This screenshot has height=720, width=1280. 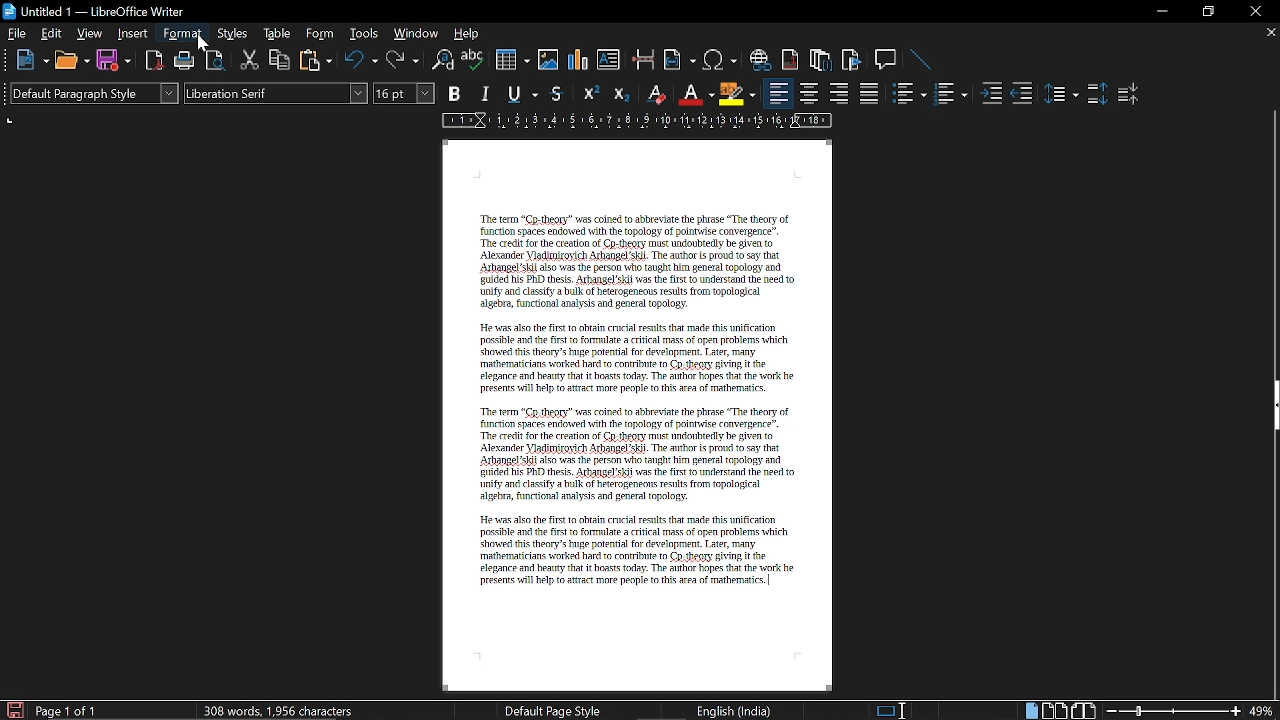 I want to click on Insert field, so click(x=679, y=61).